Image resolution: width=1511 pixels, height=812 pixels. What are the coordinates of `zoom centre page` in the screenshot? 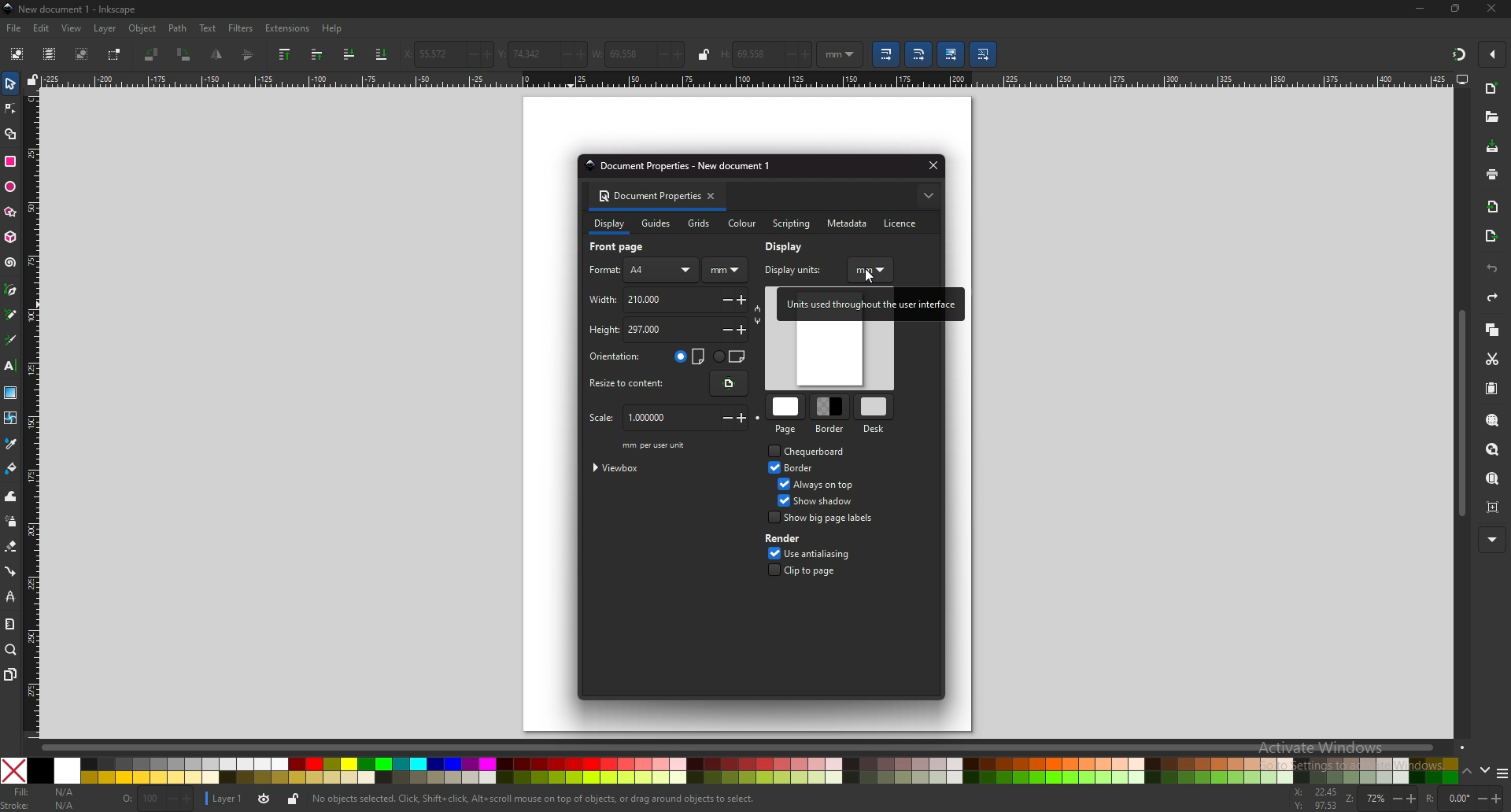 It's located at (1494, 507).